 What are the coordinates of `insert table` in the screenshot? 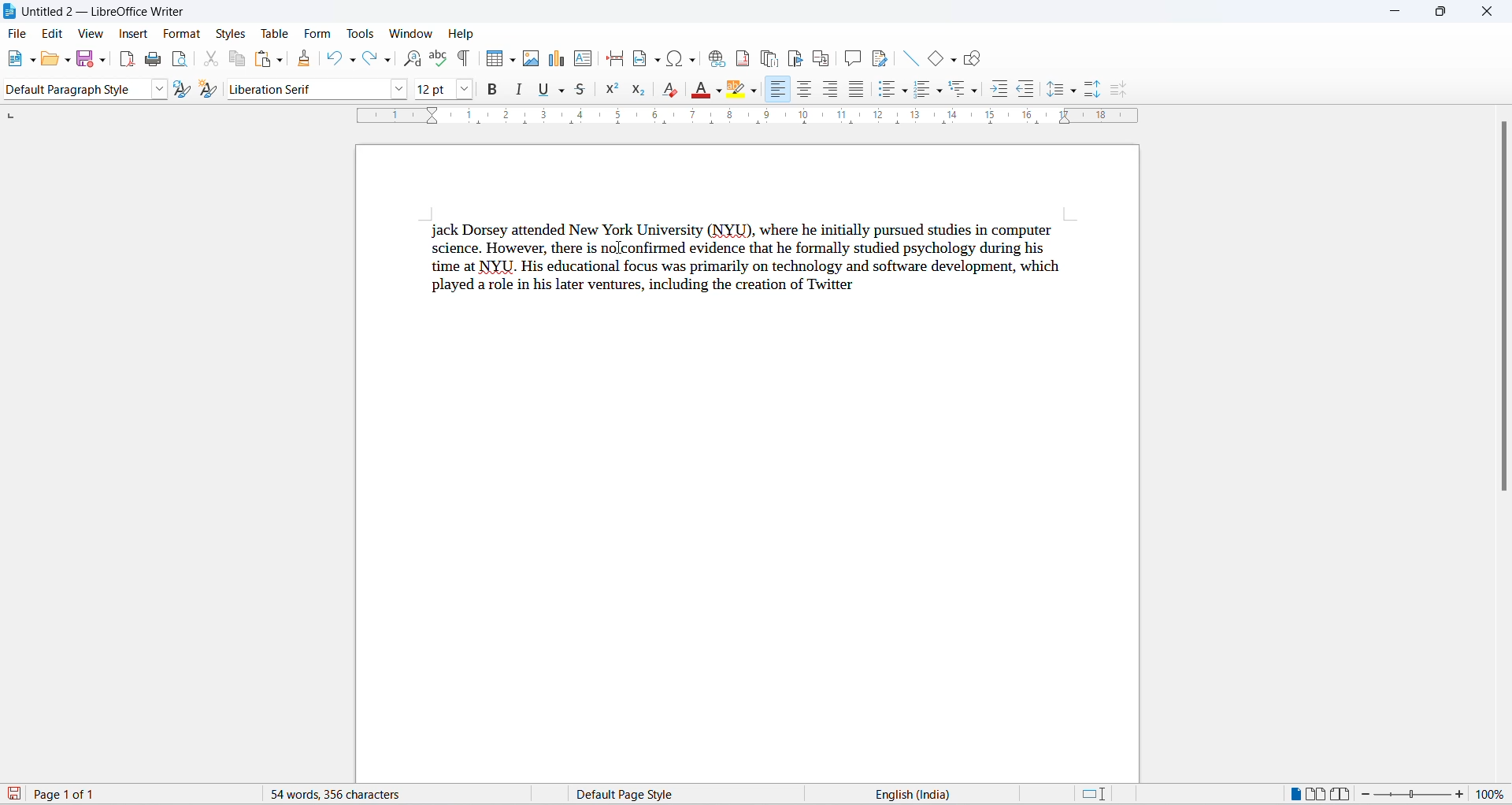 It's located at (495, 60).